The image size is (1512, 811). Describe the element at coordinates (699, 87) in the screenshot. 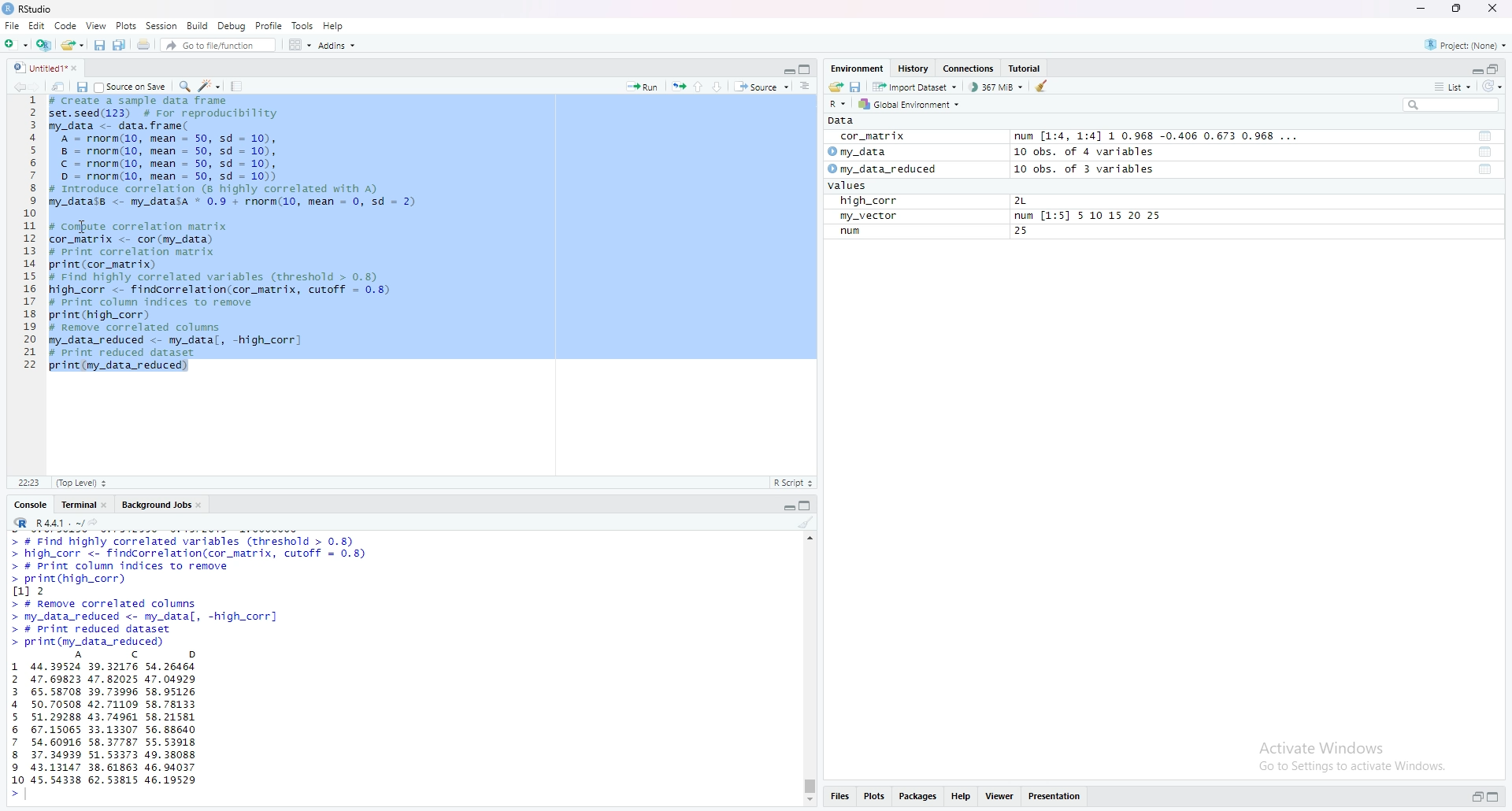

I see `up` at that location.